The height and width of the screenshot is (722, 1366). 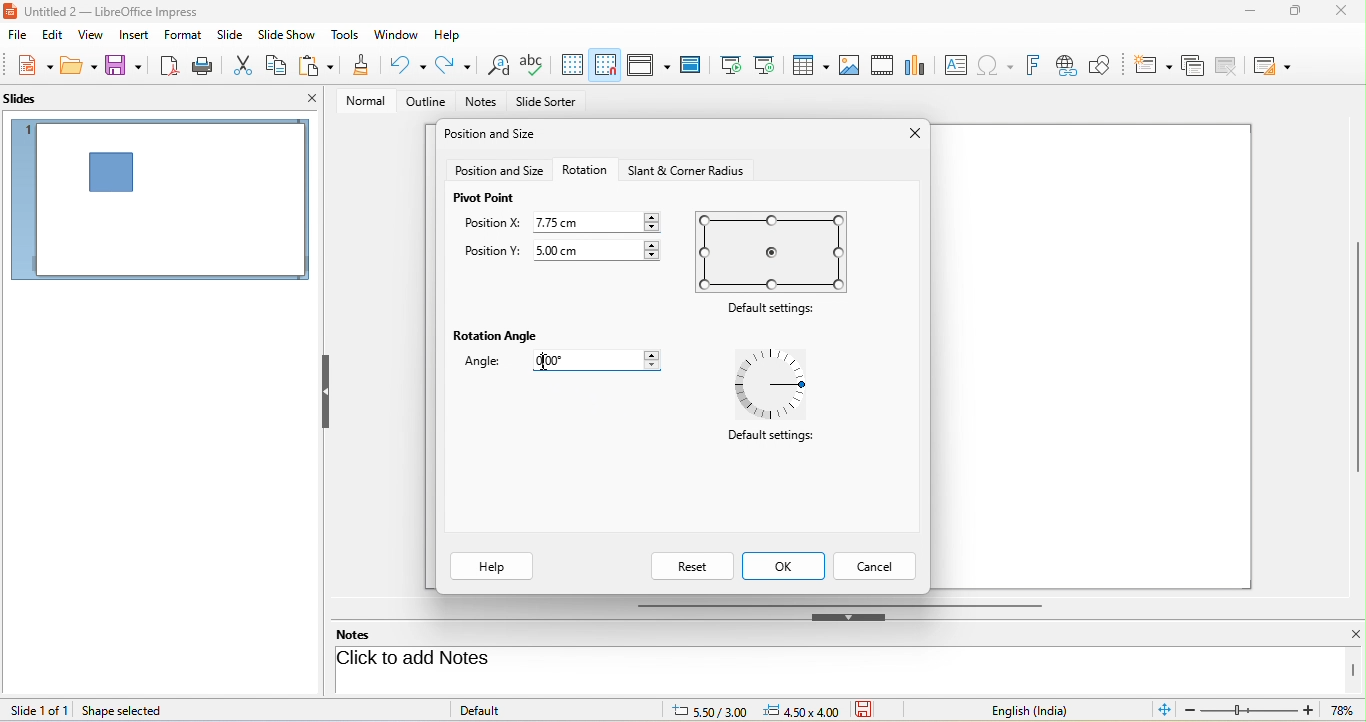 What do you see at coordinates (800, 710) in the screenshot?
I see `object position-4.5x4.00` at bounding box center [800, 710].